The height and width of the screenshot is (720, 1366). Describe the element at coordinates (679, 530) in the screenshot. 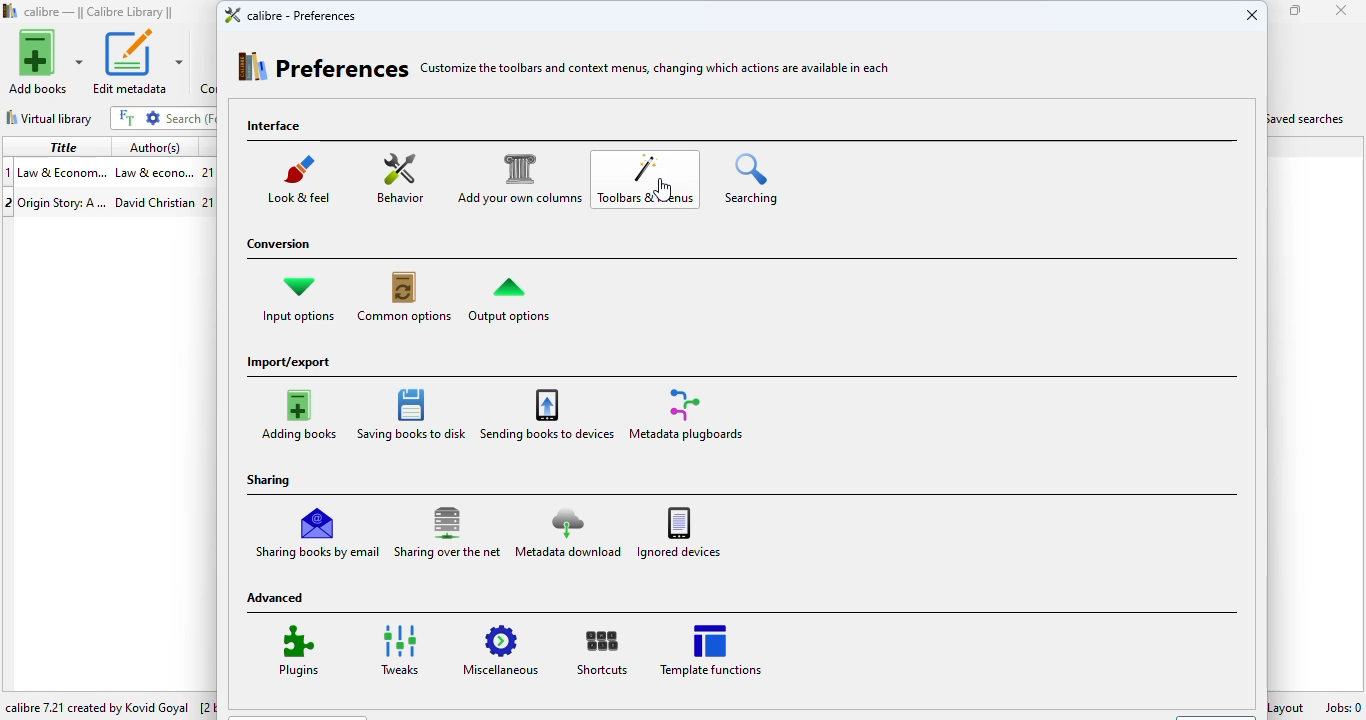

I see `ignored devices` at that location.